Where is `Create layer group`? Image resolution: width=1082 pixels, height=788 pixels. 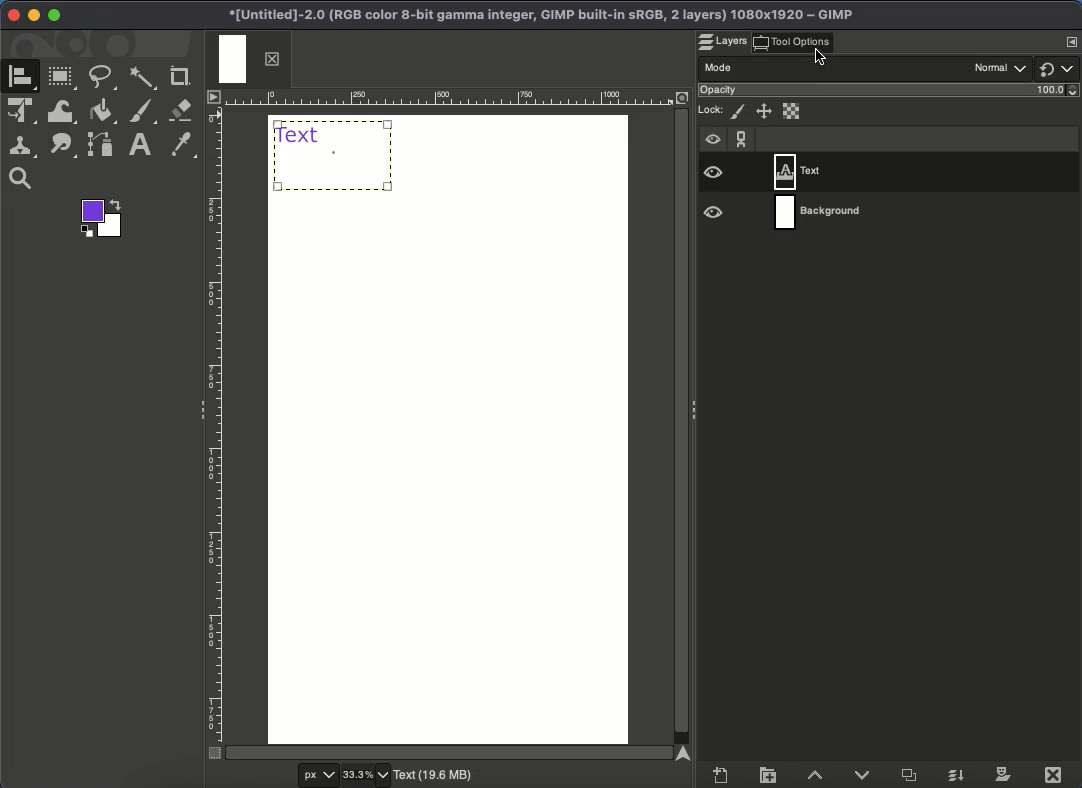 Create layer group is located at coordinates (768, 774).